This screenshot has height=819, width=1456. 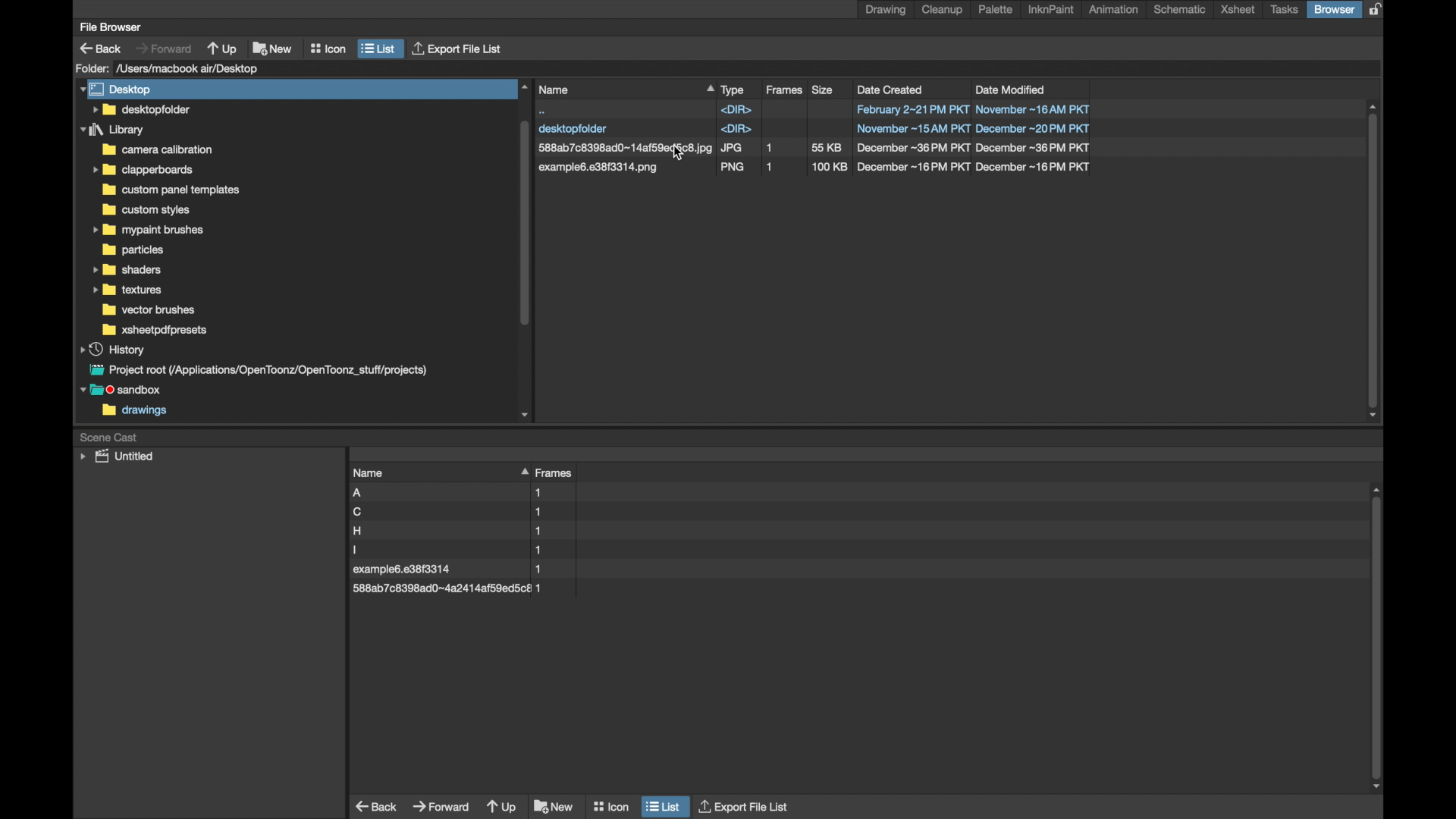 I want to click on browser, so click(x=1334, y=9).